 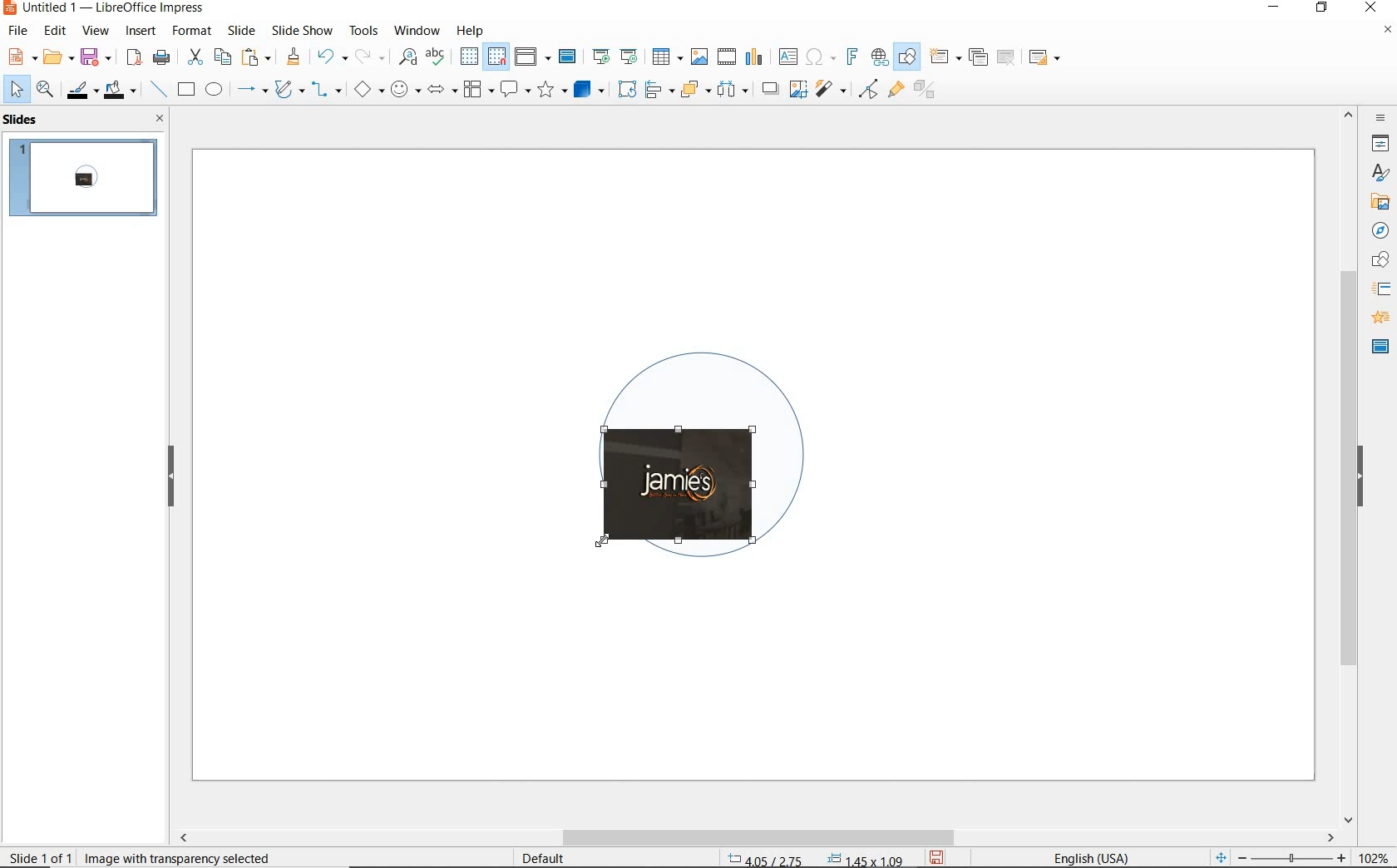 I want to click on close, so click(x=1370, y=8).